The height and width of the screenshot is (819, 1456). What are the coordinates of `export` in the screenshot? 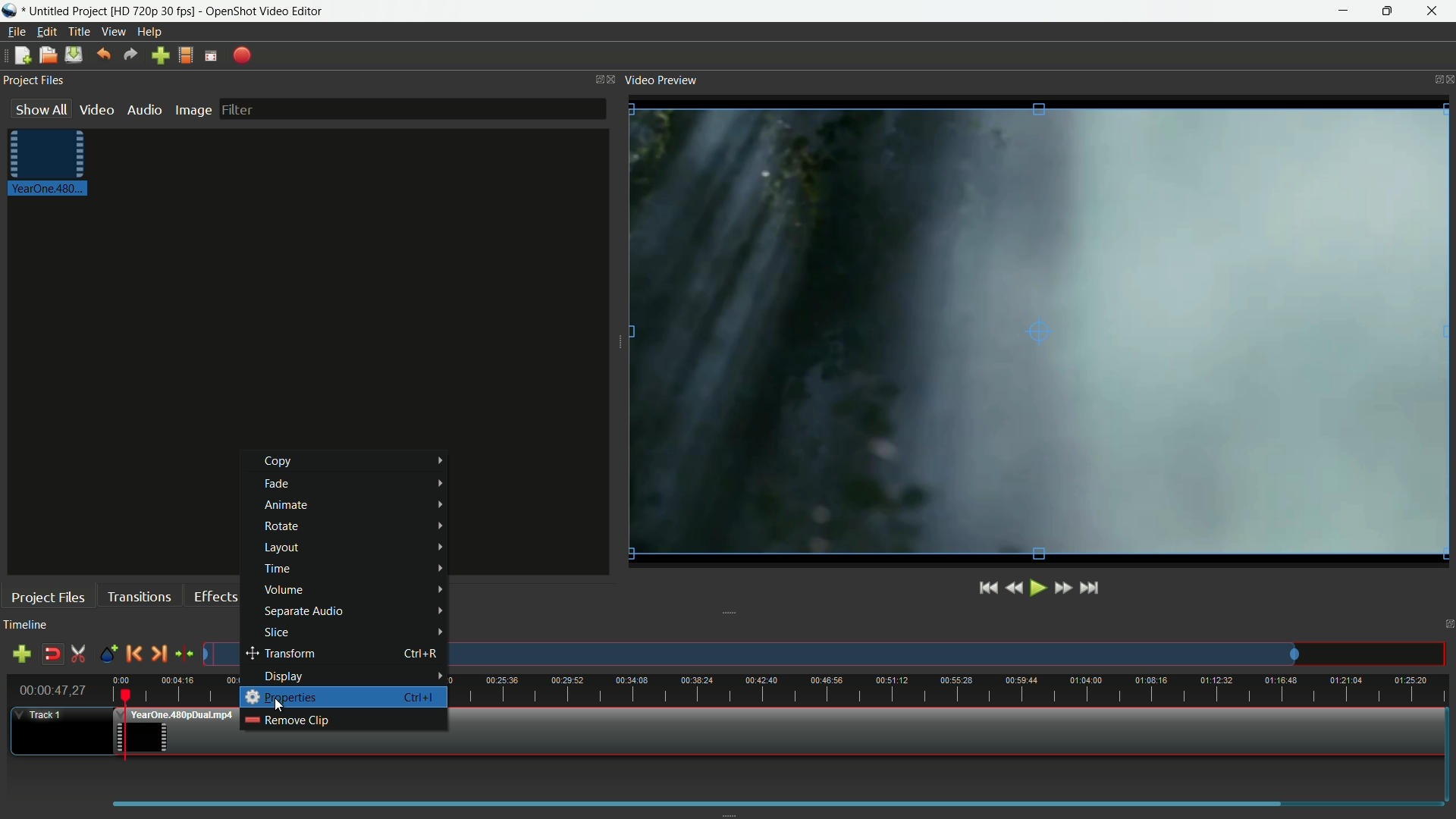 It's located at (242, 56).